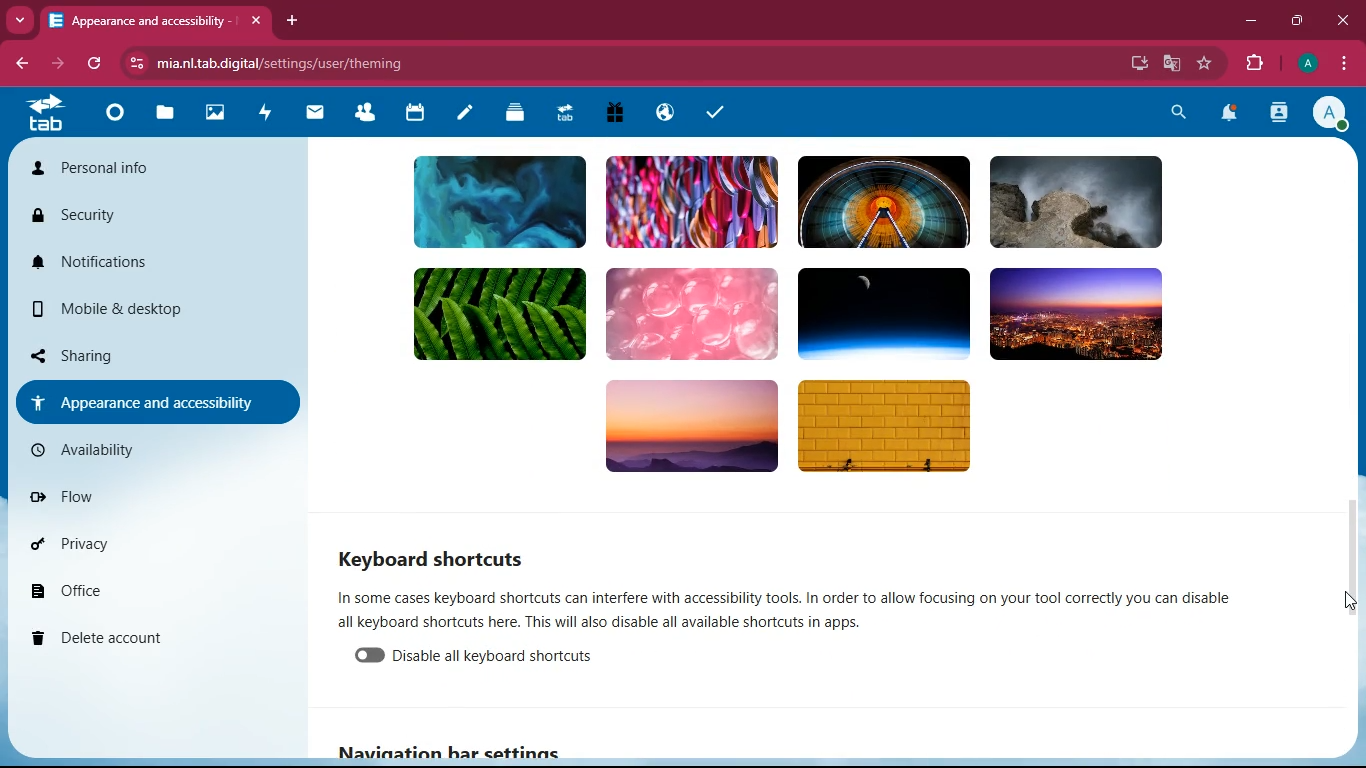  Describe the element at coordinates (16, 63) in the screenshot. I see `back` at that location.